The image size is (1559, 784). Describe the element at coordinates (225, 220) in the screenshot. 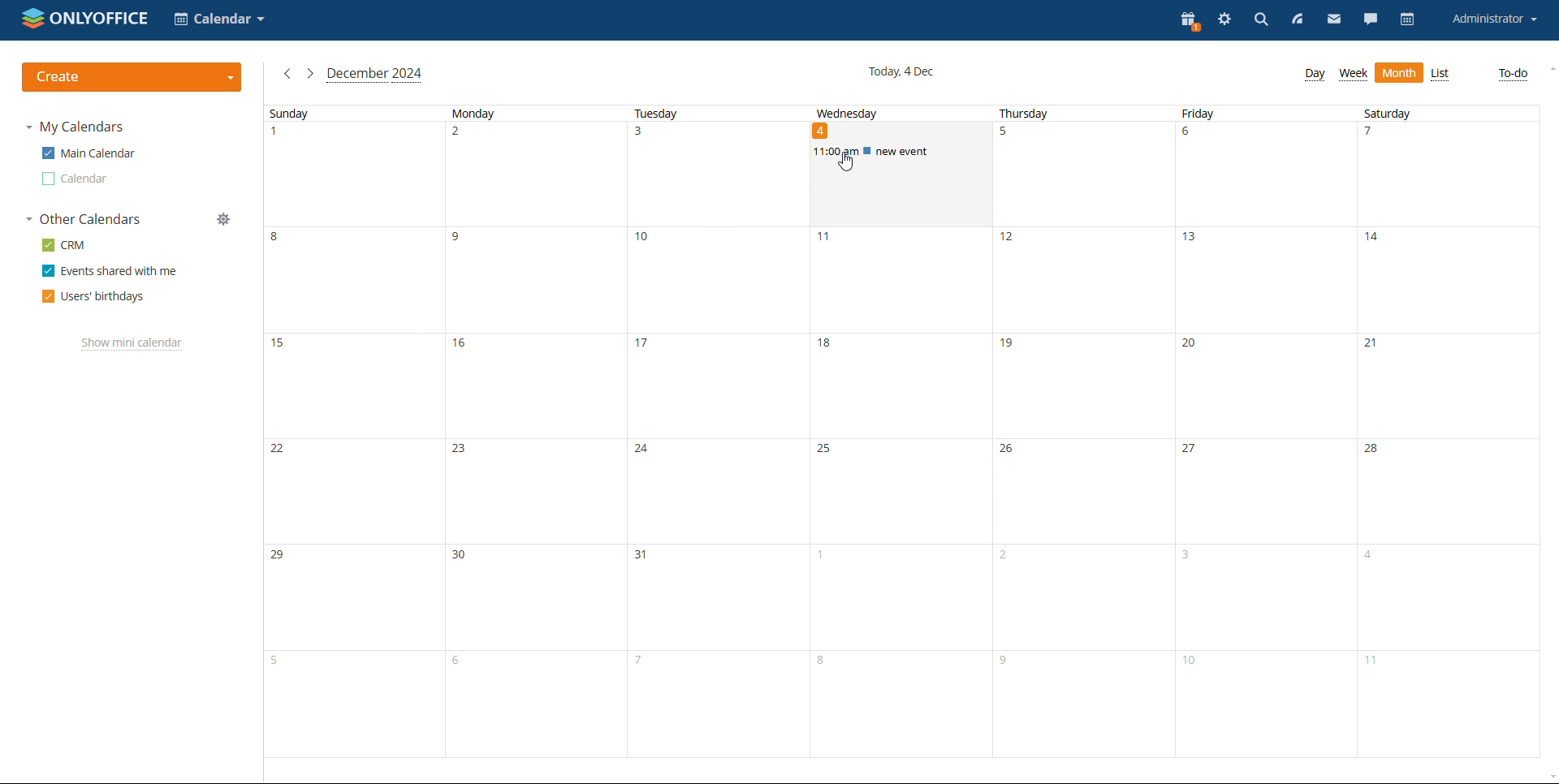

I see `manage` at that location.